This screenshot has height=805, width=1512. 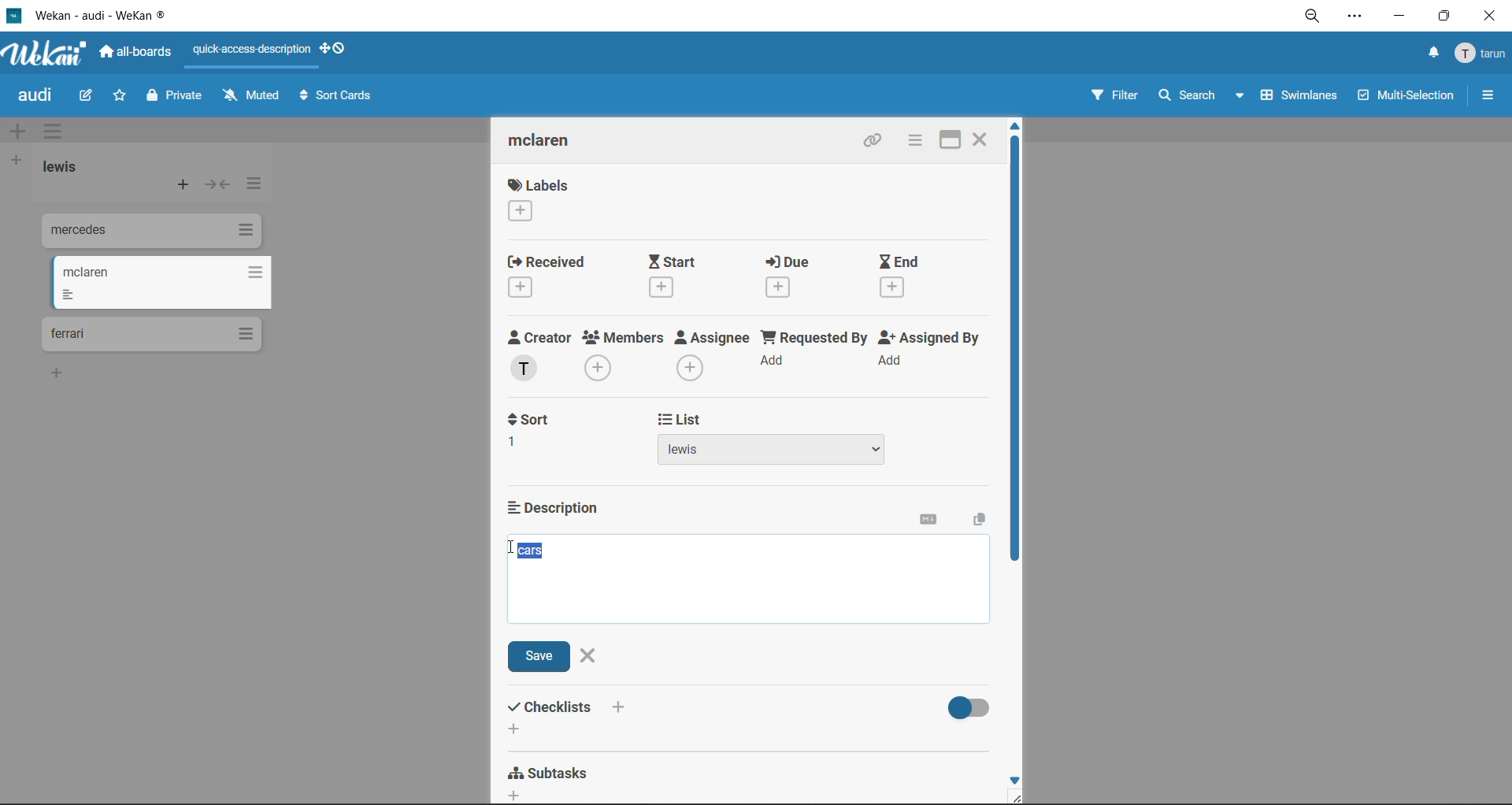 I want to click on save, so click(x=542, y=657).